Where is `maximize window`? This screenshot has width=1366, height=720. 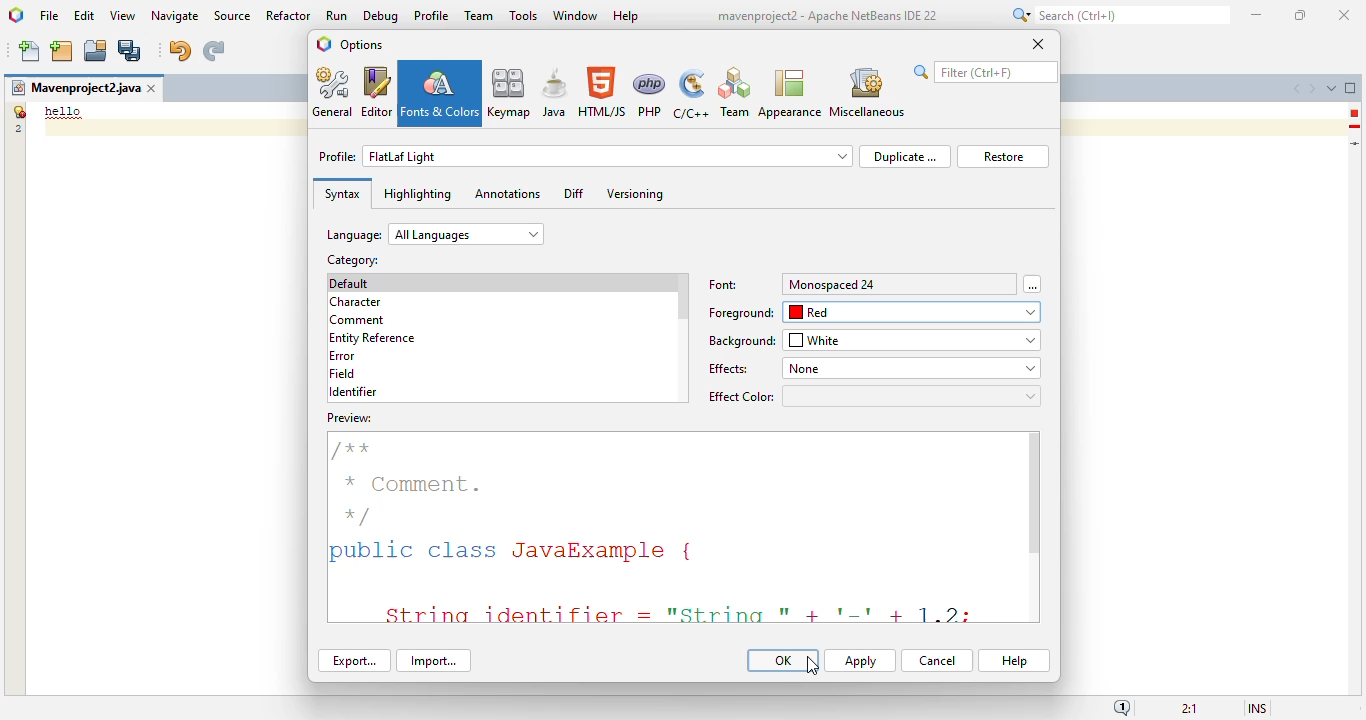
maximize window is located at coordinates (1351, 87).